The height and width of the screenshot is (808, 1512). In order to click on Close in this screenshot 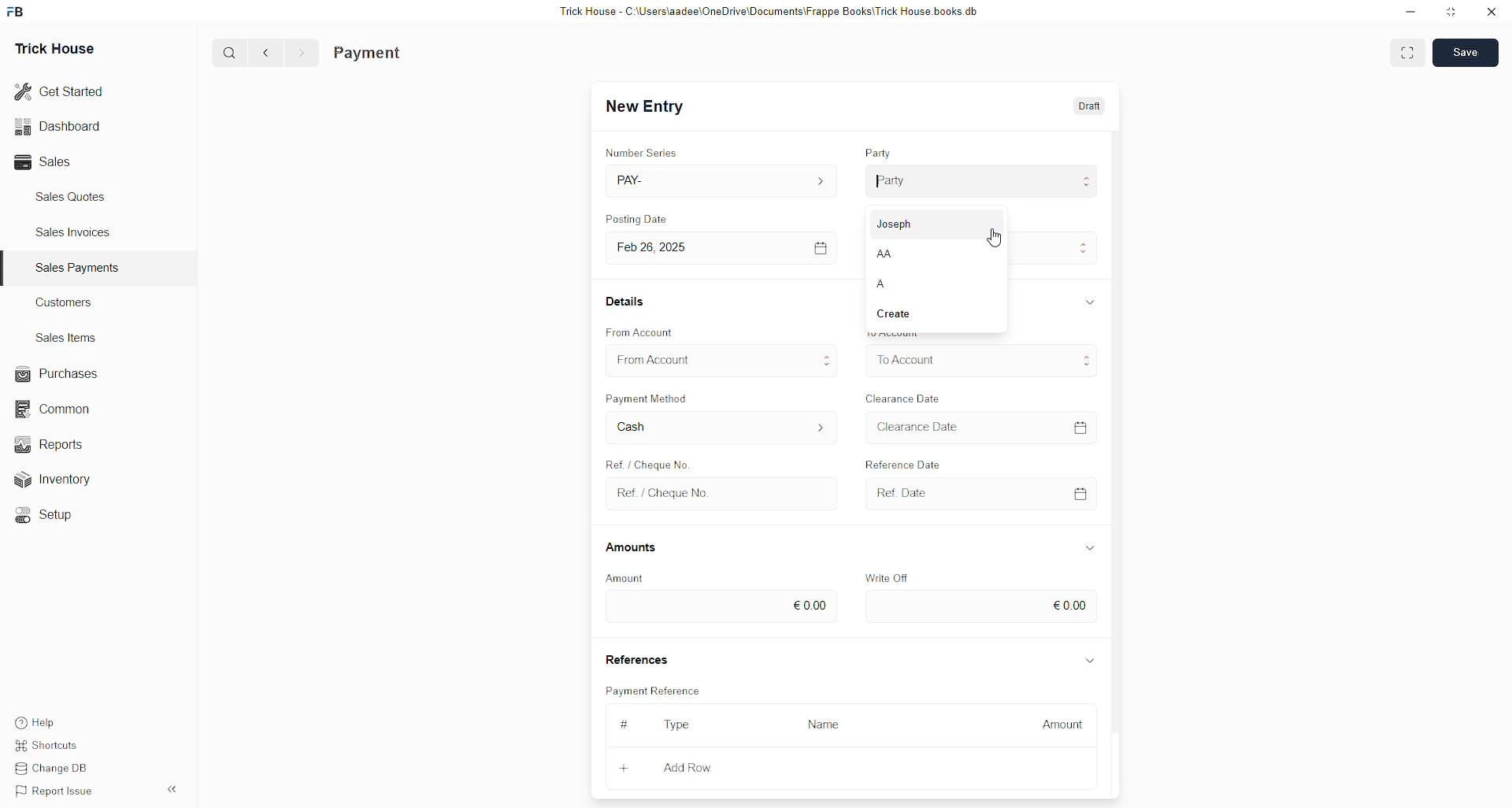, I will do `click(1491, 13)`.